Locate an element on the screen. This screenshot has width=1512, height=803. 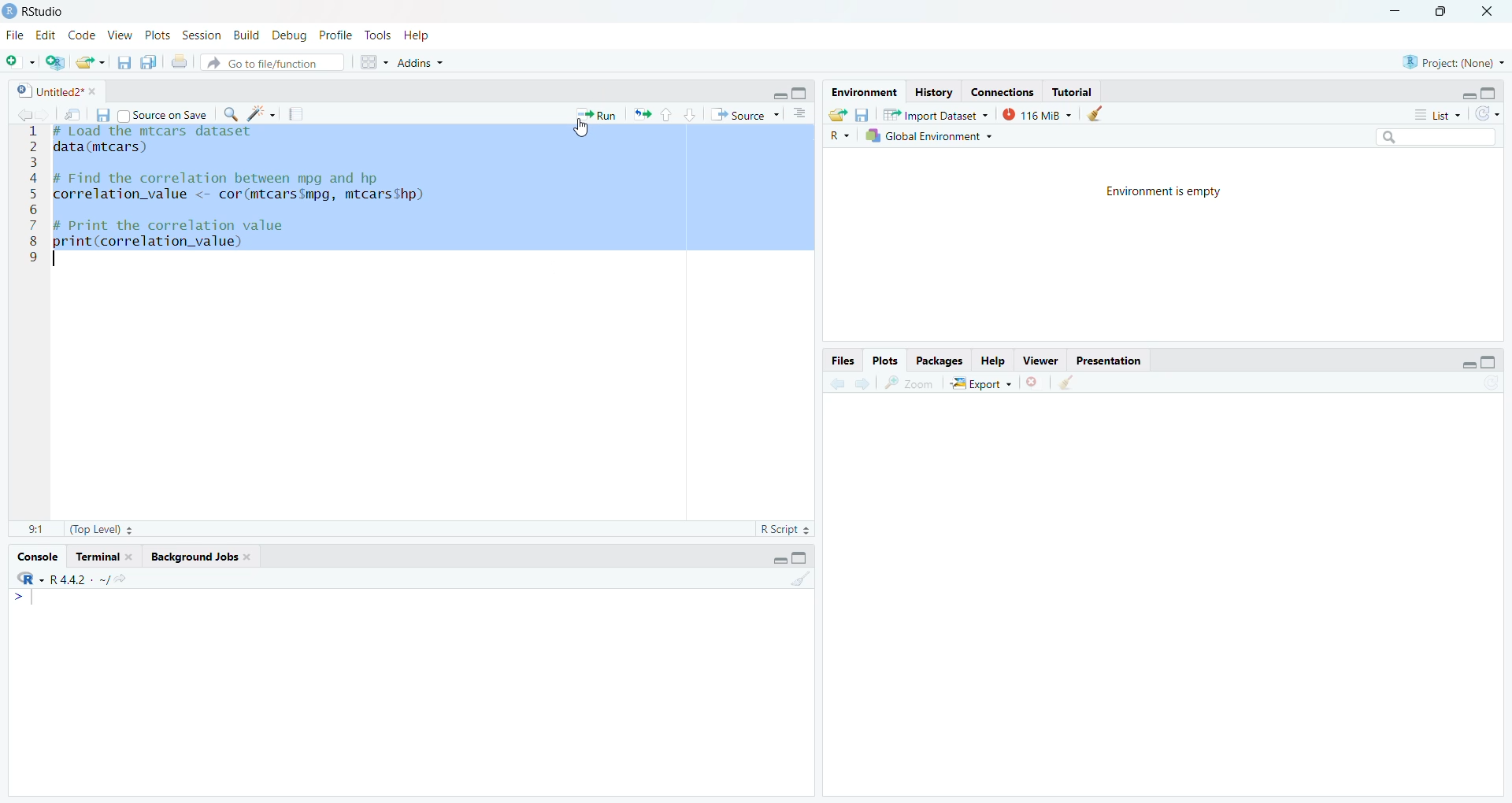
Profile is located at coordinates (334, 33).